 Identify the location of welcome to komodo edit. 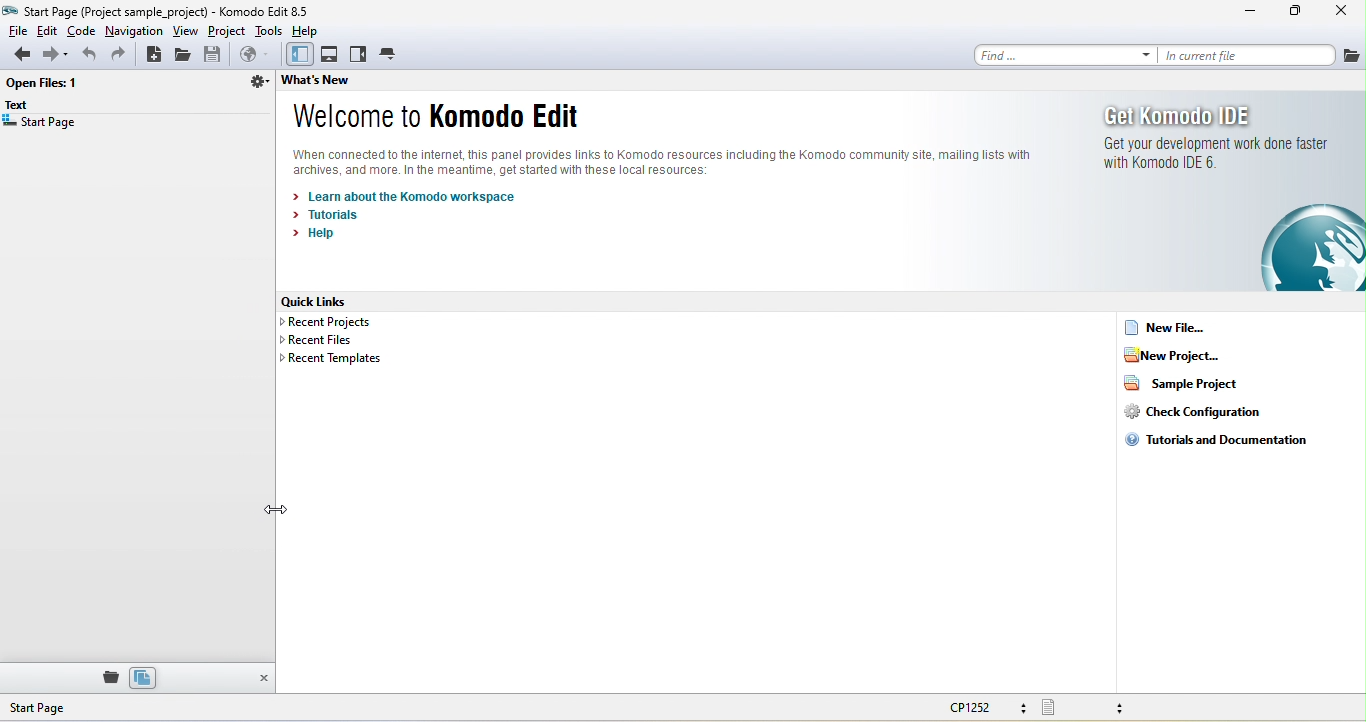
(436, 118).